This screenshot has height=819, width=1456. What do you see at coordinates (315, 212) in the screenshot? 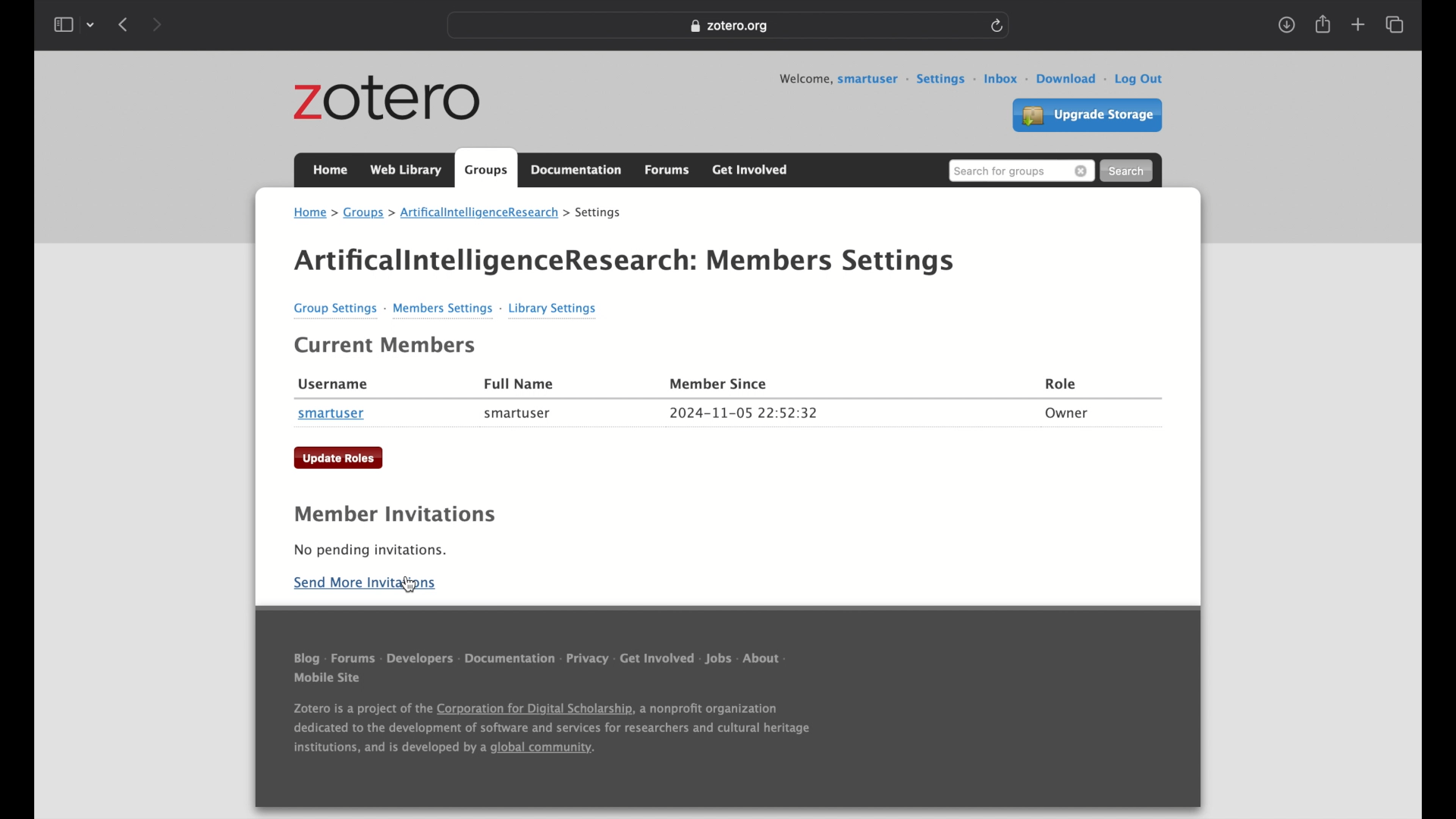
I see `home` at bounding box center [315, 212].